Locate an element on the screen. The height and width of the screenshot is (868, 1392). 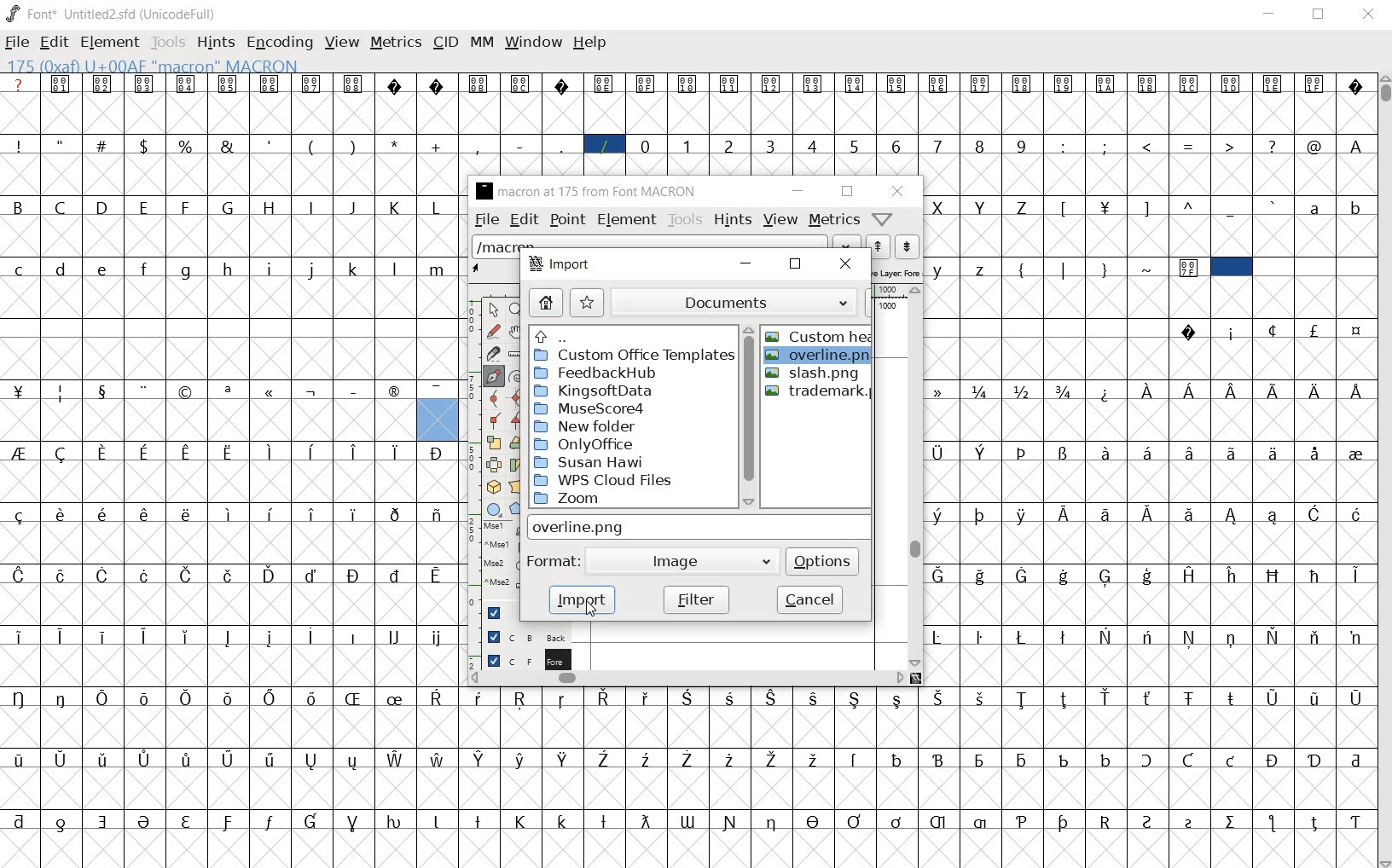
Symbol is located at coordinates (898, 84).